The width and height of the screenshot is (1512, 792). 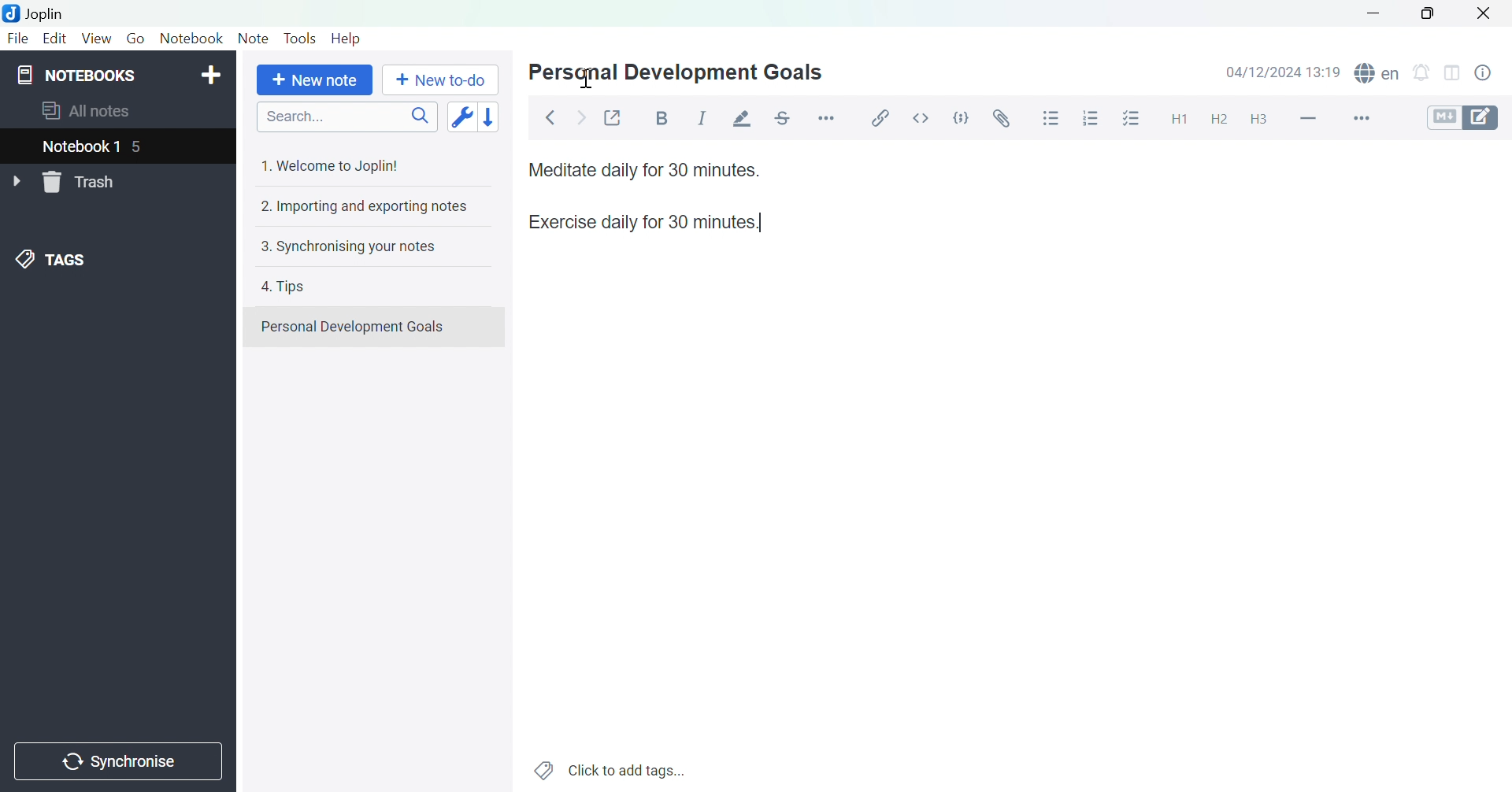 I want to click on Close, so click(x=1484, y=13).